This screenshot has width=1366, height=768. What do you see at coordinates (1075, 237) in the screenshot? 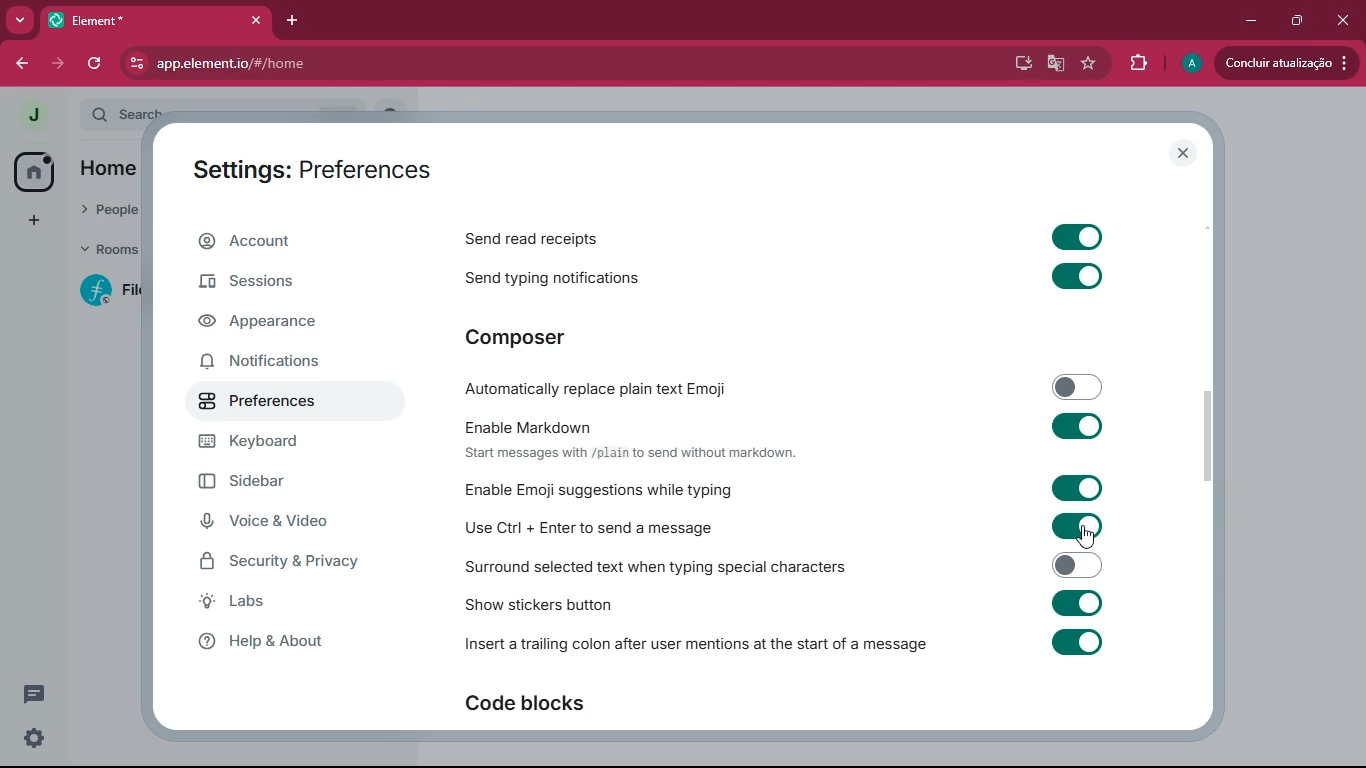
I see `toggle on or off` at bounding box center [1075, 237].